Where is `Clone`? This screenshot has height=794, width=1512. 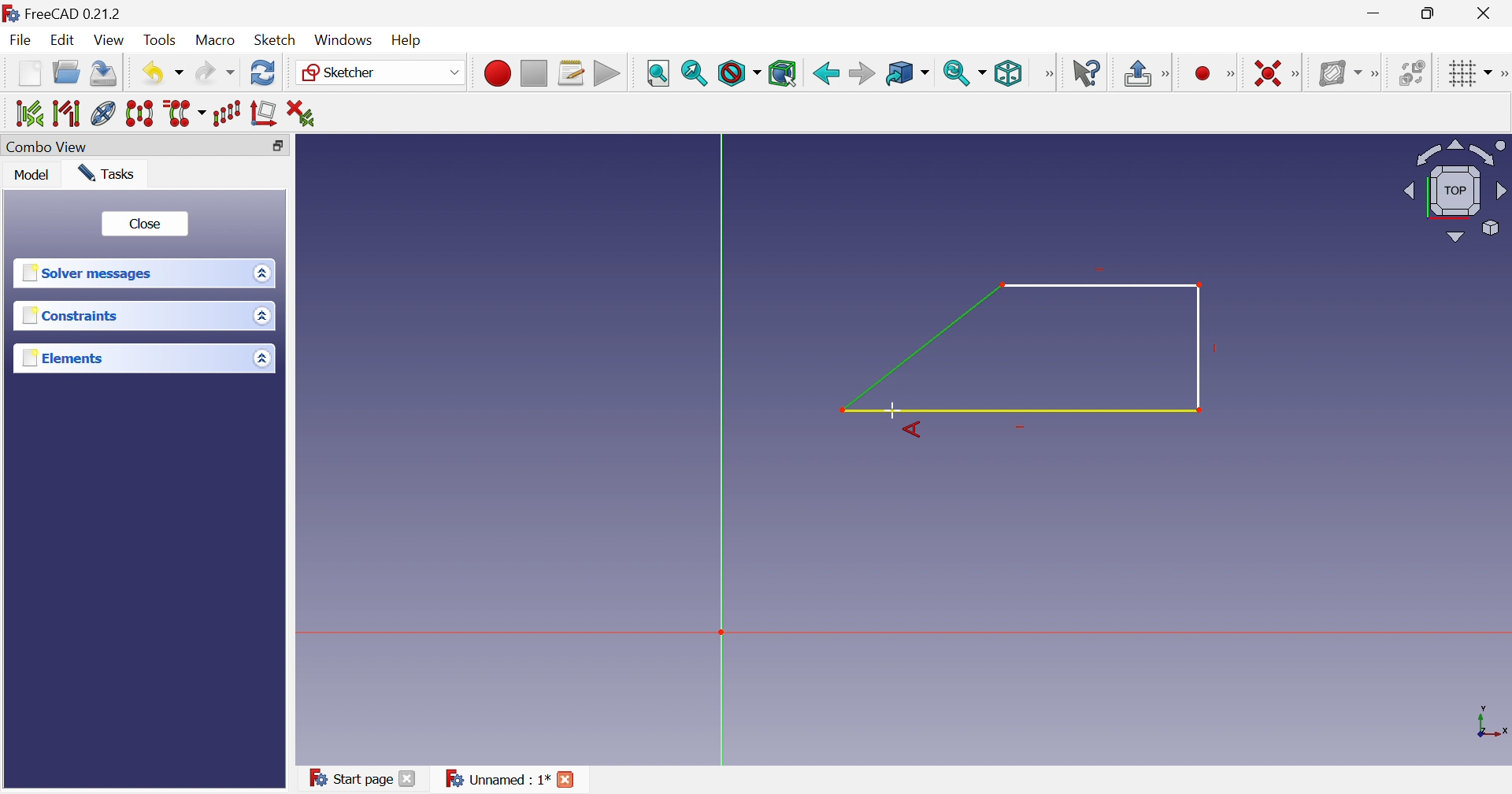
Clone is located at coordinates (186, 114).